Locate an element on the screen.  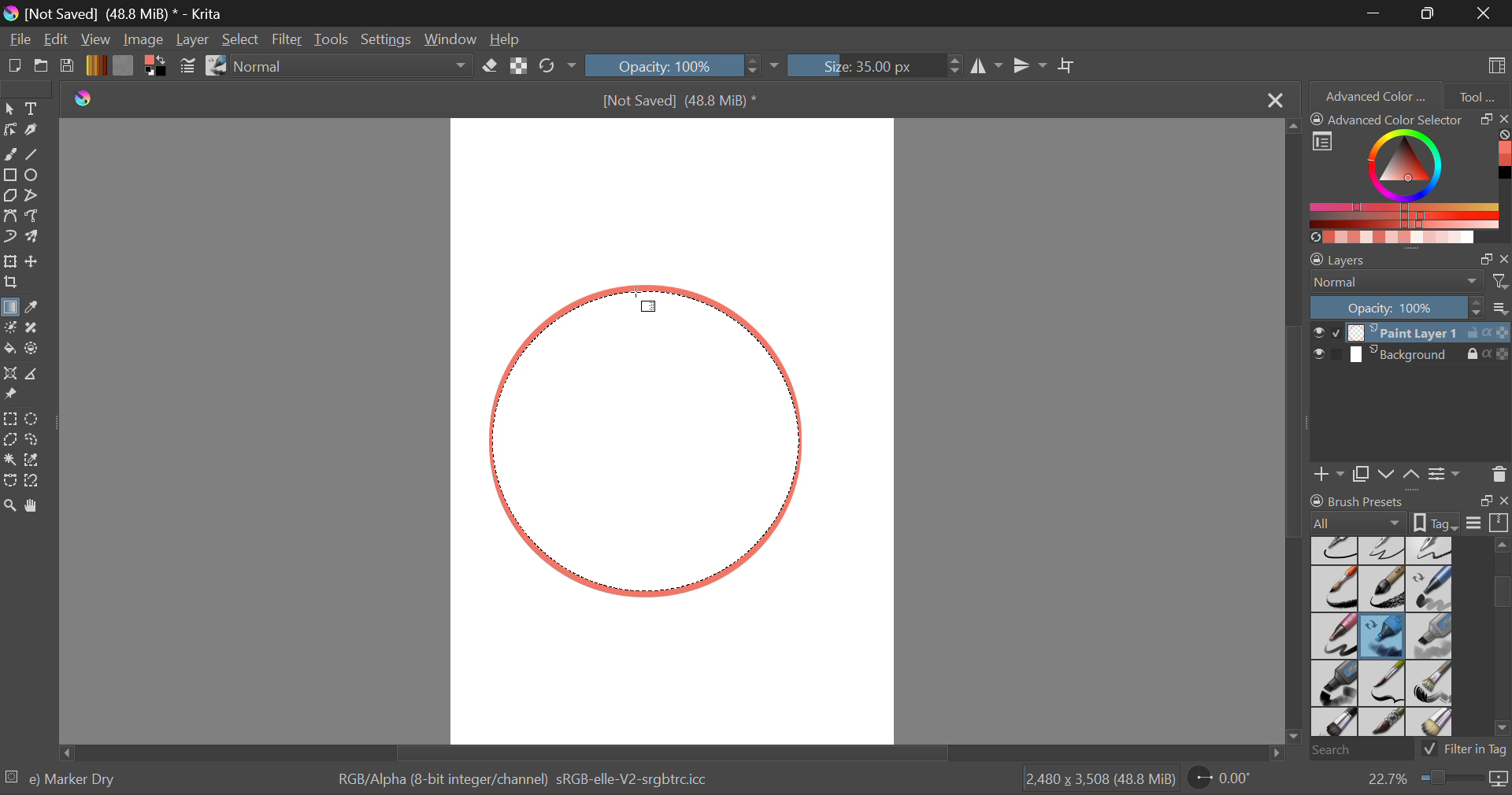
Zoom 22.7% is located at coordinates (1431, 779).